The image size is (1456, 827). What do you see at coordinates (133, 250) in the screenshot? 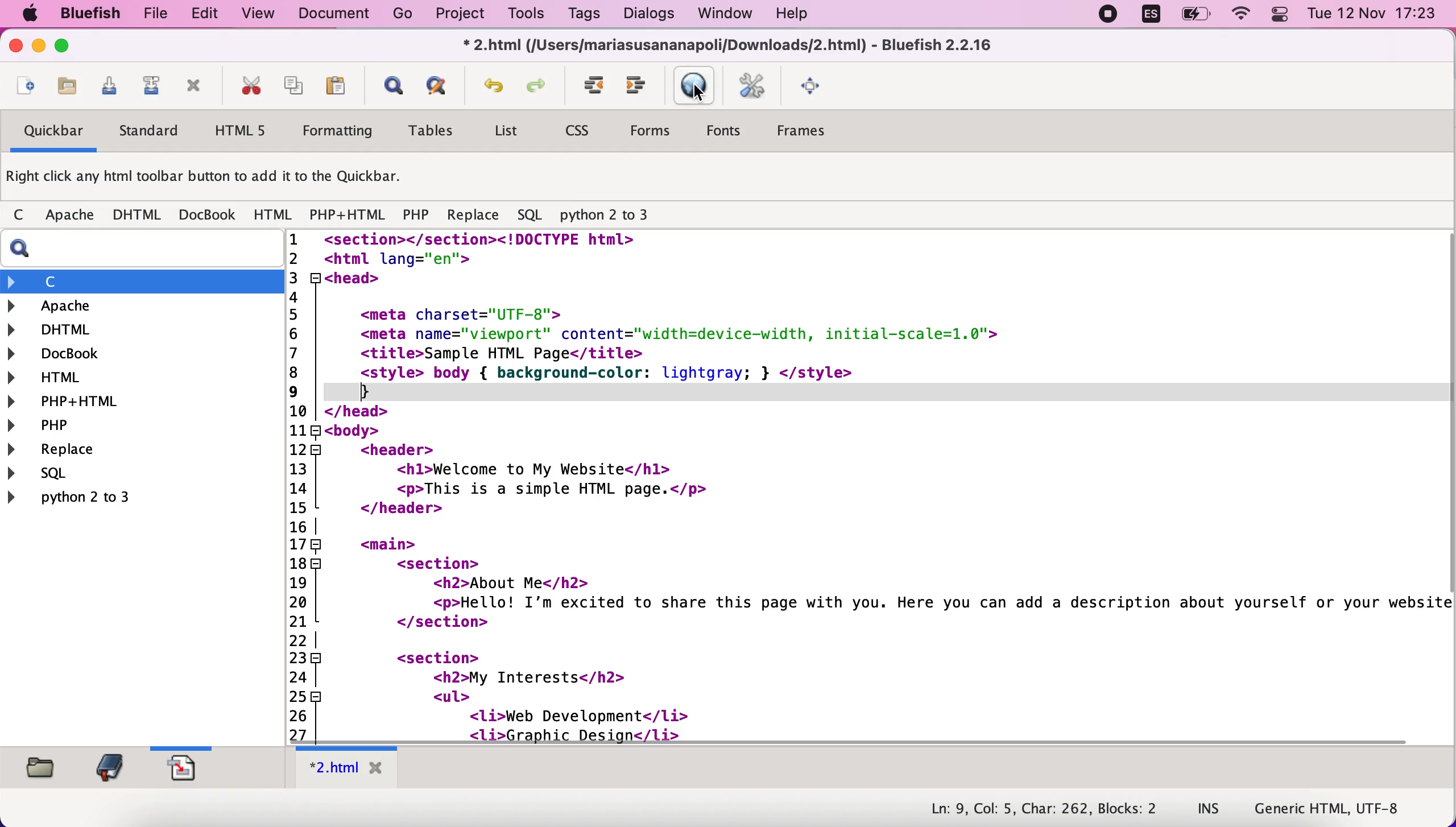
I see `search bar` at bounding box center [133, 250].